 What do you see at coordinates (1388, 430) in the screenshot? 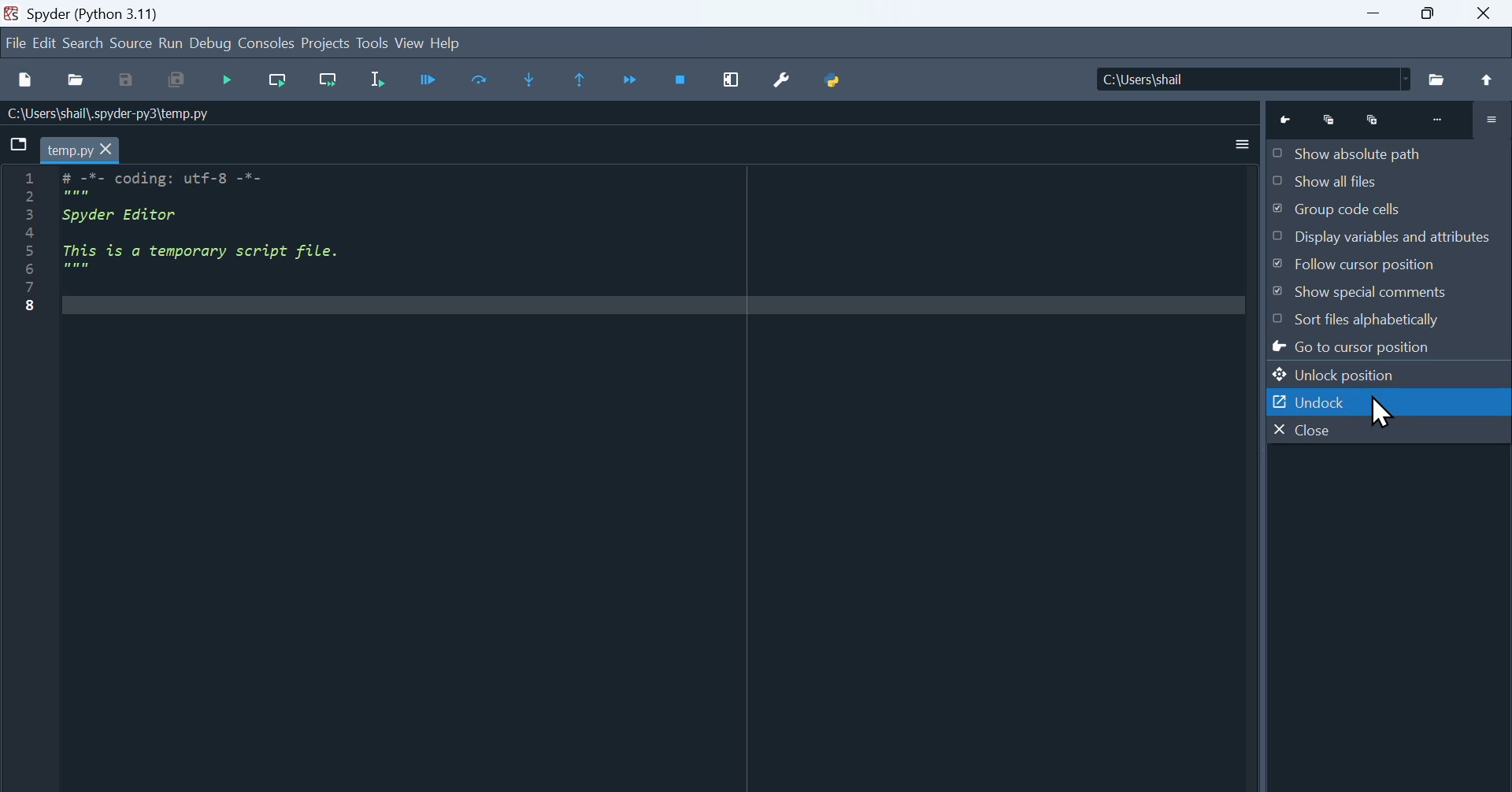
I see `Close` at bounding box center [1388, 430].